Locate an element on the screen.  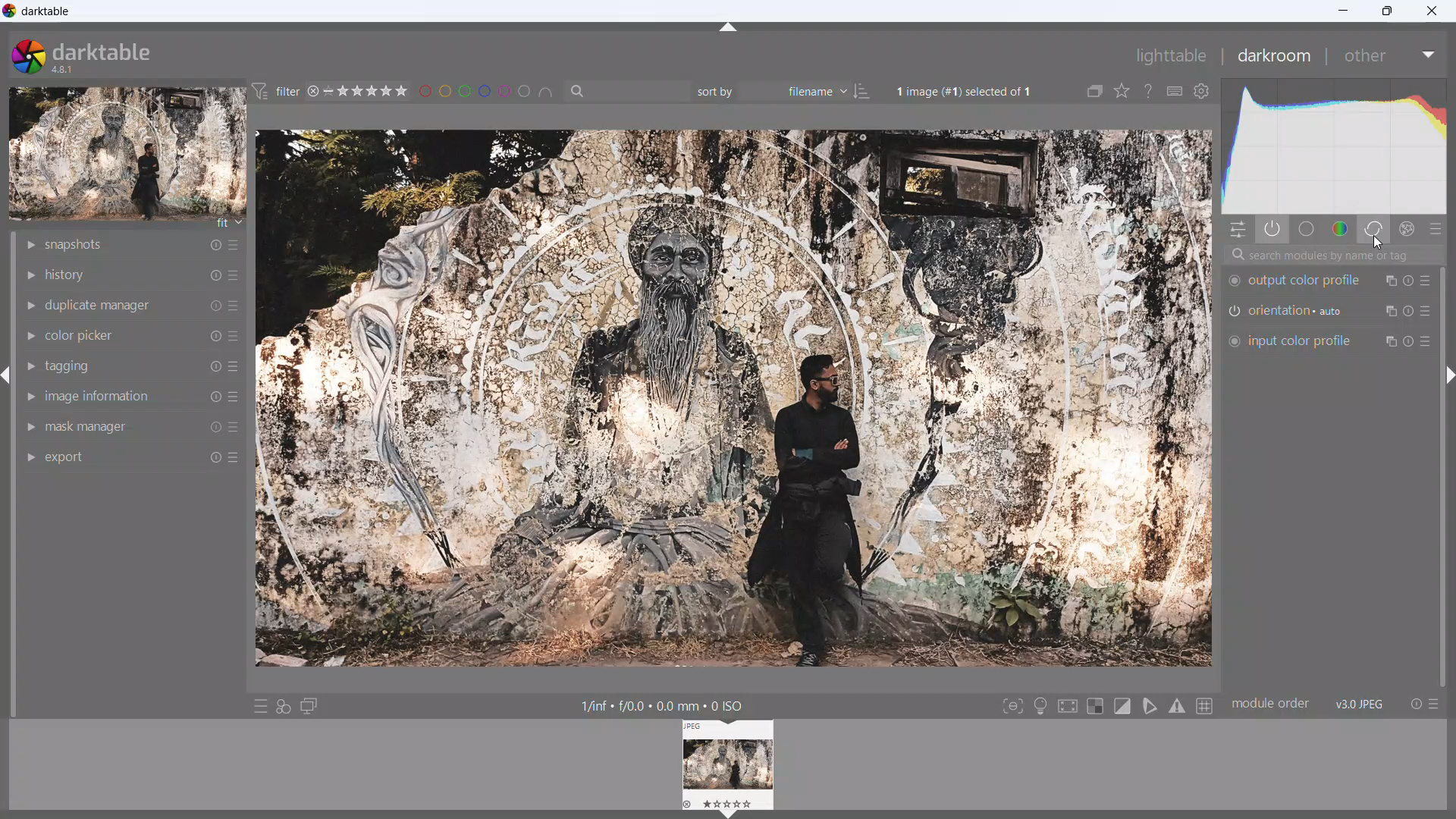
more options is located at coordinates (234, 337).